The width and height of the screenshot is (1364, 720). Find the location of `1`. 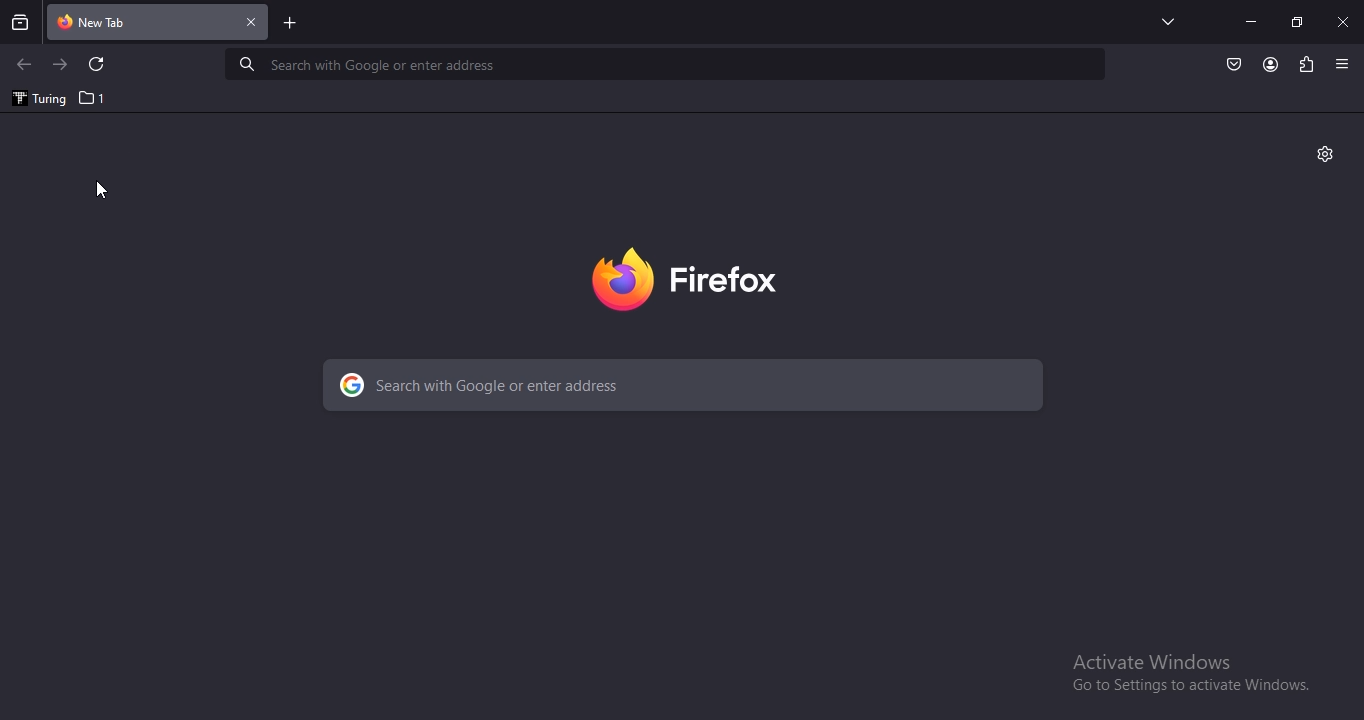

1 is located at coordinates (95, 100).